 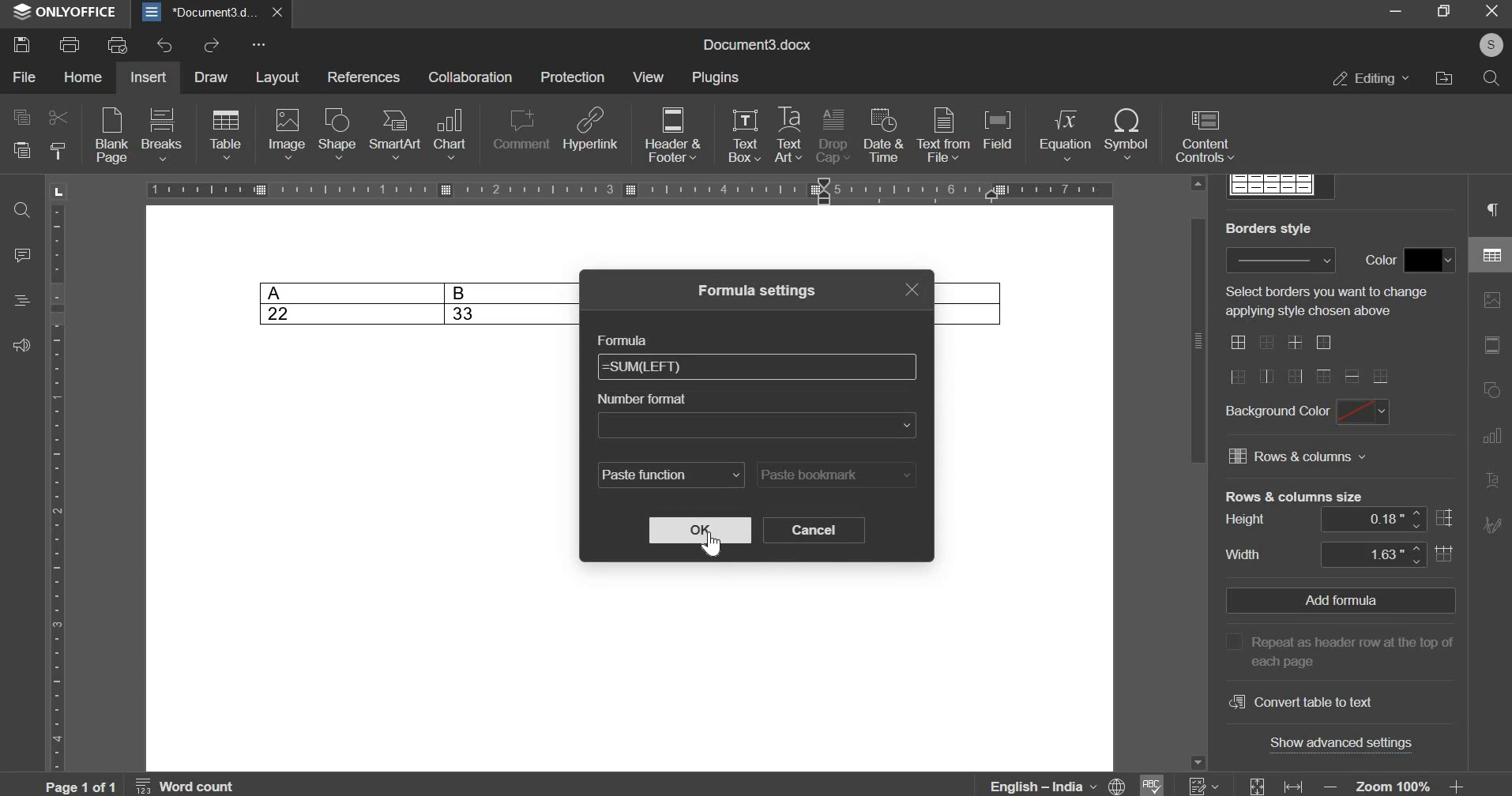 I want to click on Select borders you want to change
applying style chosen above, so click(x=1329, y=302).